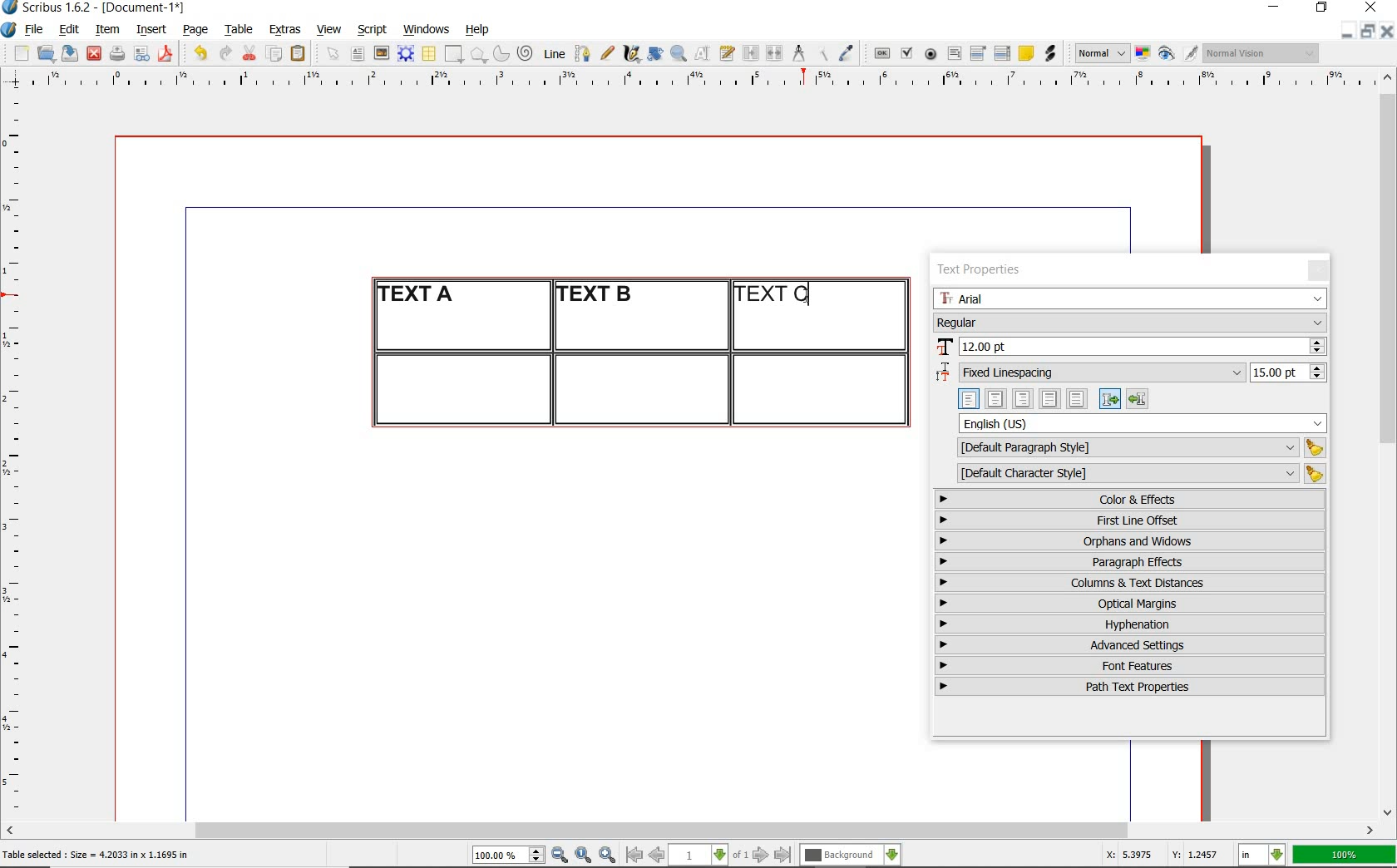 The width and height of the screenshot is (1397, 868). What do you see at coordinates (1132, 499) in the screenshot?
I see `color & effects` at bounding box center [1132, 499].